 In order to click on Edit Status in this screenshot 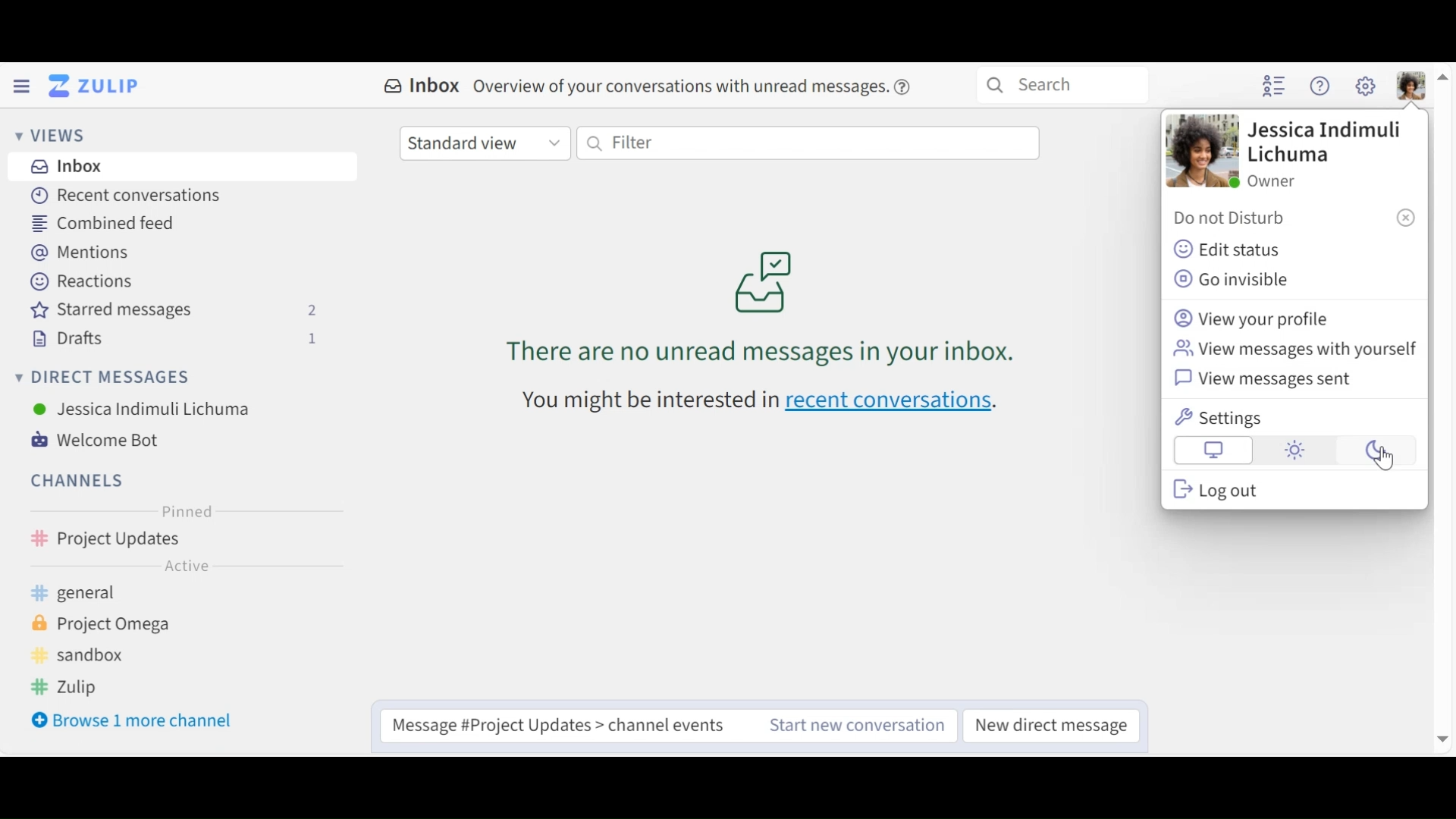, I will do `click(1228, 248)`.